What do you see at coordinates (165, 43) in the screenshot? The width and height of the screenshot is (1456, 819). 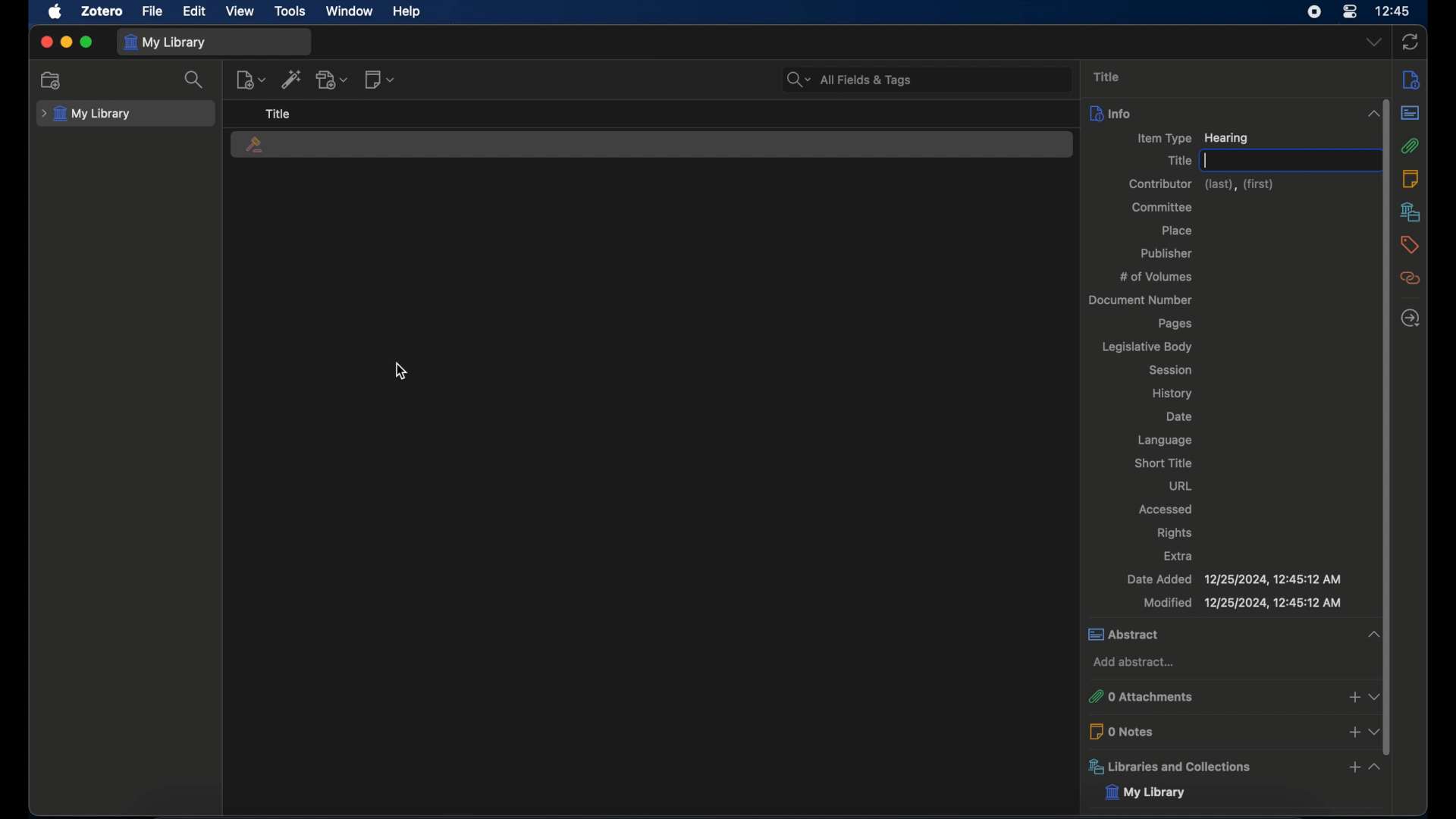 I see `my library` at bounding box center [165, 43].